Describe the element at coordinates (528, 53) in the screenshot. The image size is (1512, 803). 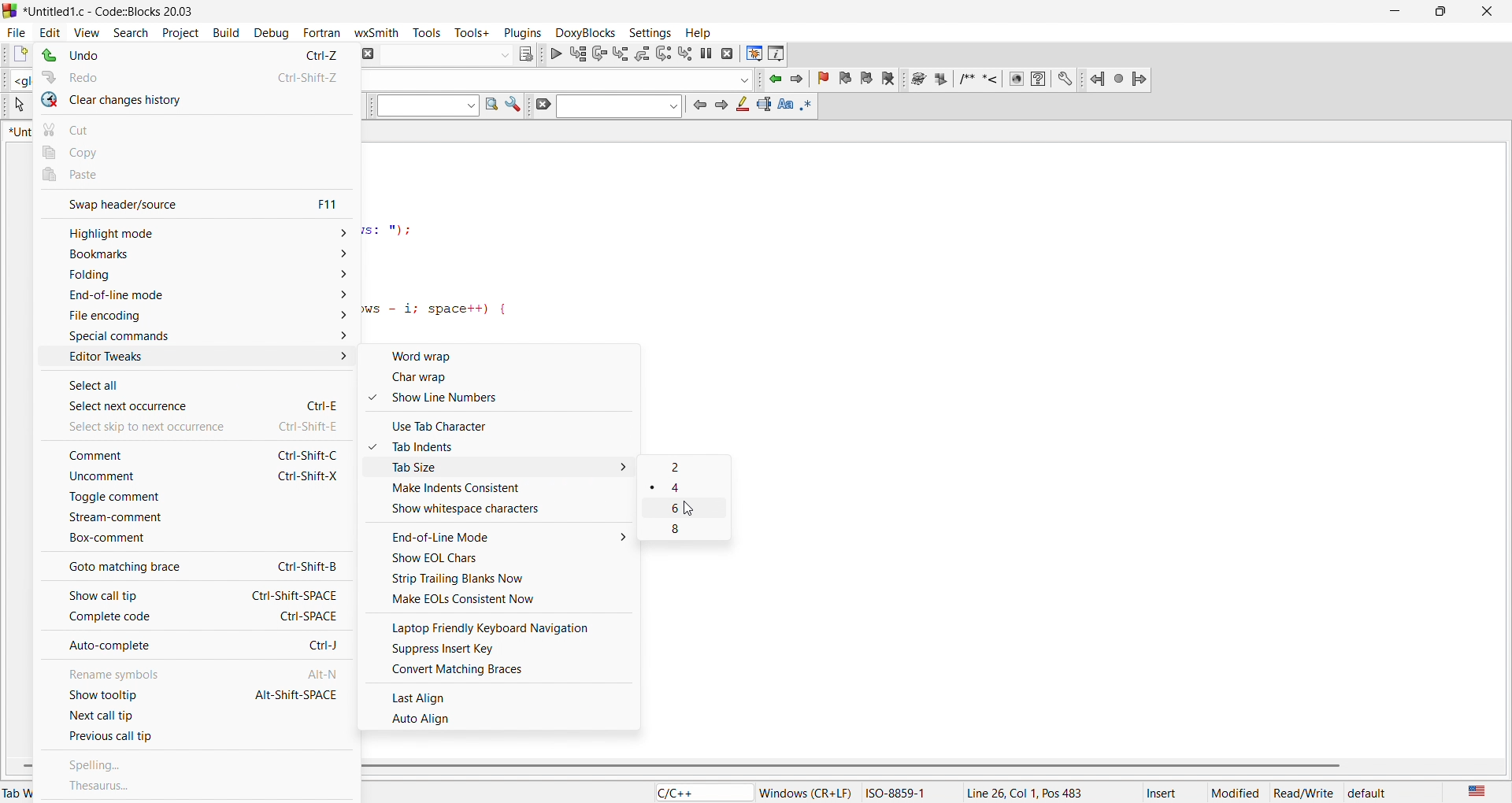
I see `icon` at that location.